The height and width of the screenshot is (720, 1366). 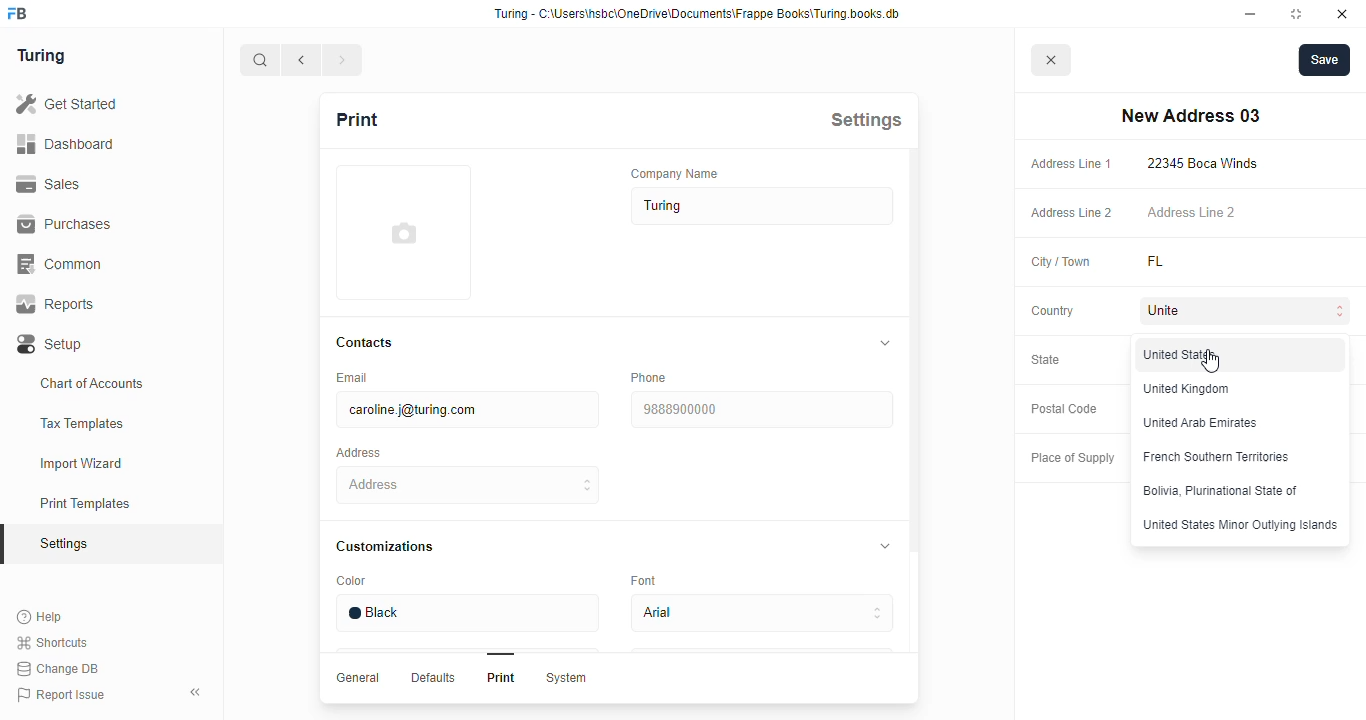 I want to click on city / town, so click(x=1062, y=263).